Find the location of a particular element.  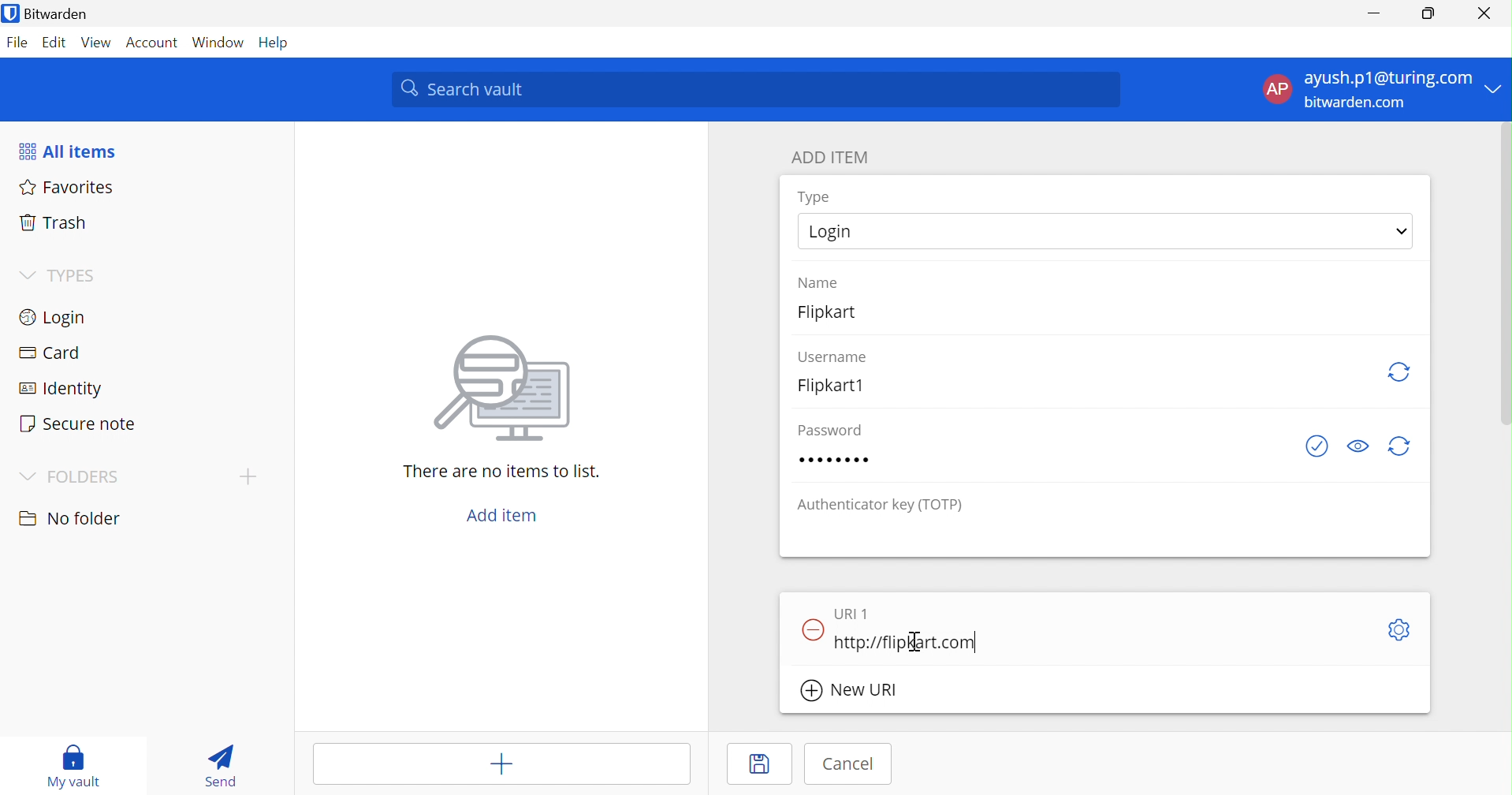

Secure note is located at coordinates (80, 426).